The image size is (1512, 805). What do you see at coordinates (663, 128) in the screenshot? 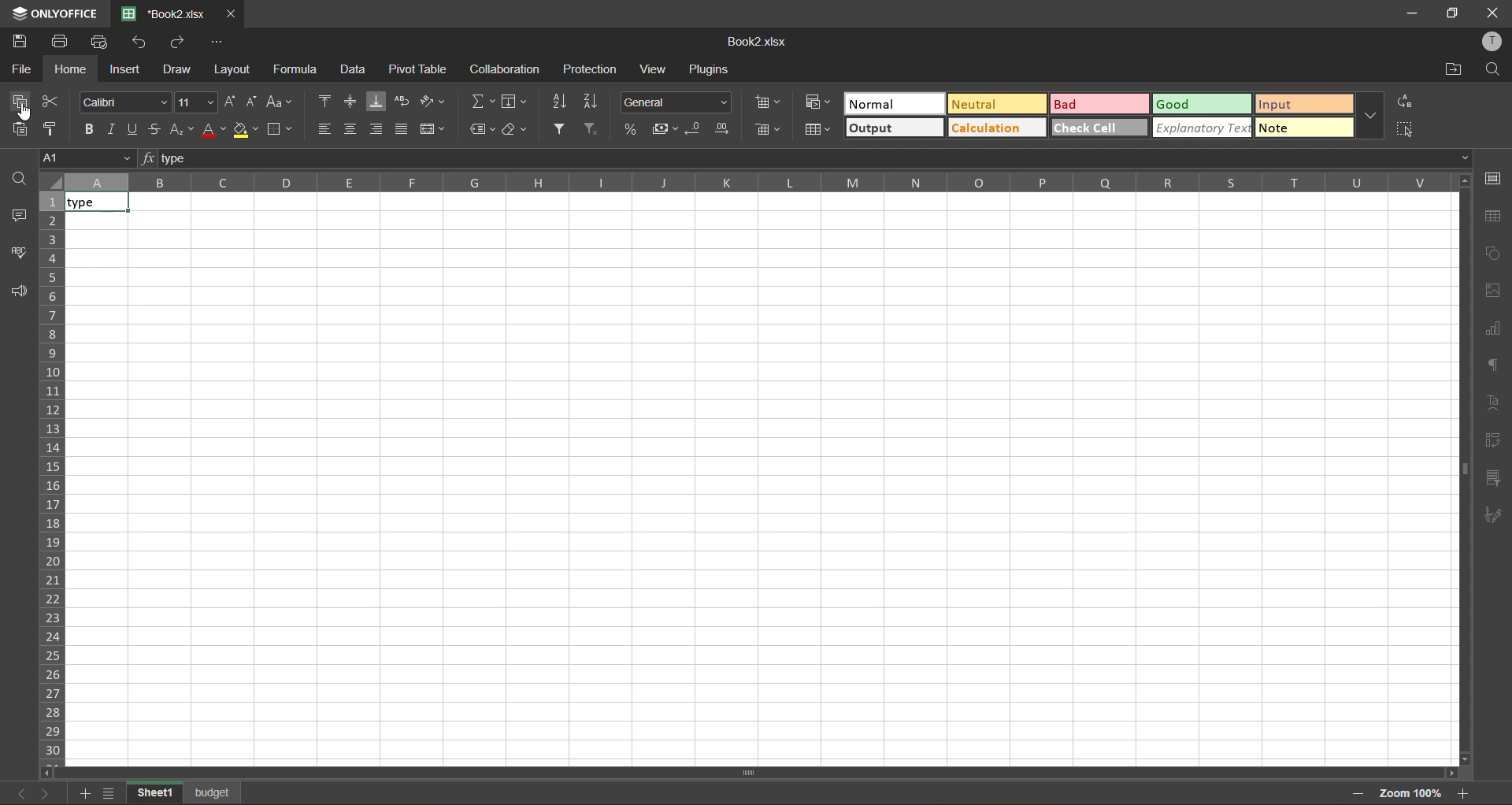
I see `accounting` at bounding box center [663, 128].